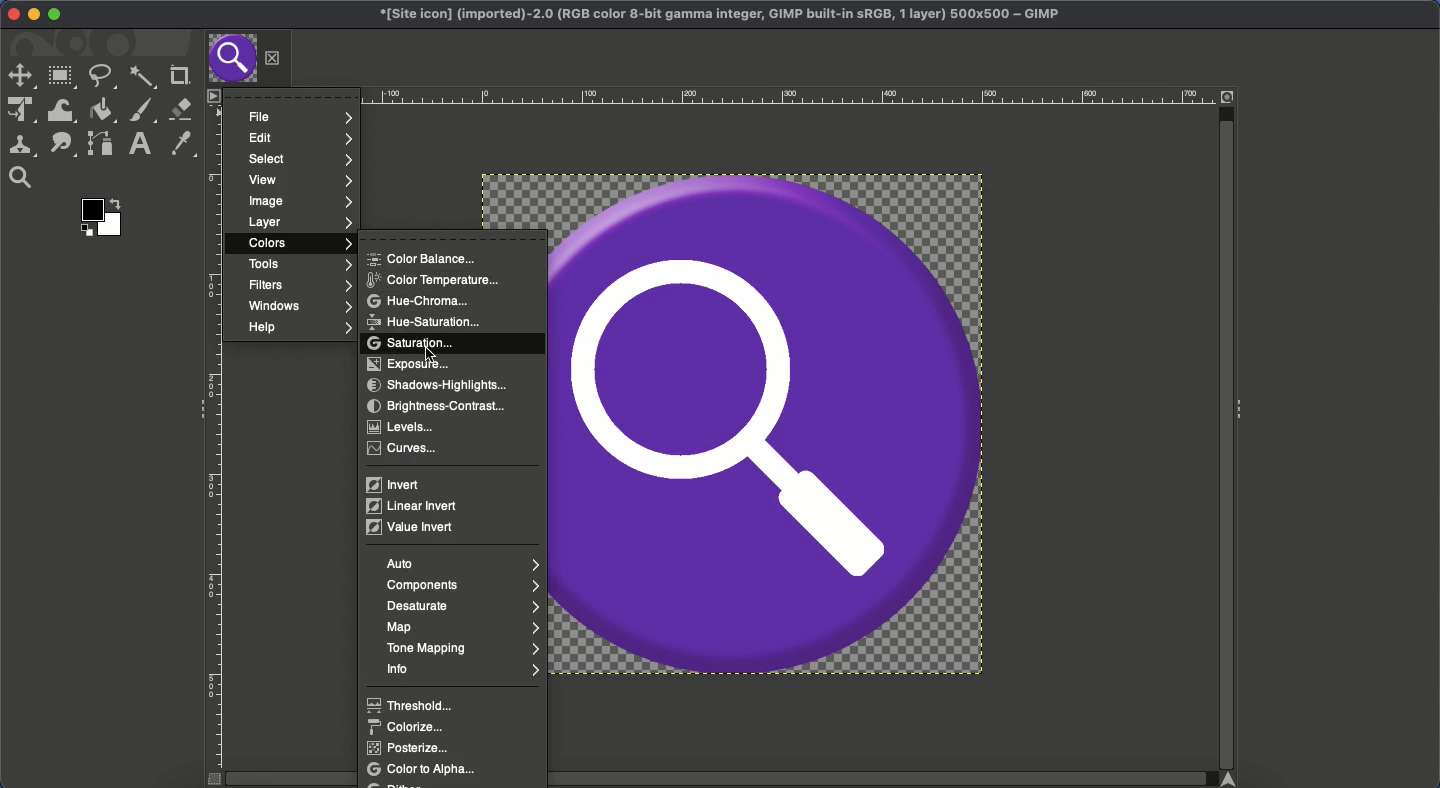  I want to click on Linear invert, so click(415, 505).